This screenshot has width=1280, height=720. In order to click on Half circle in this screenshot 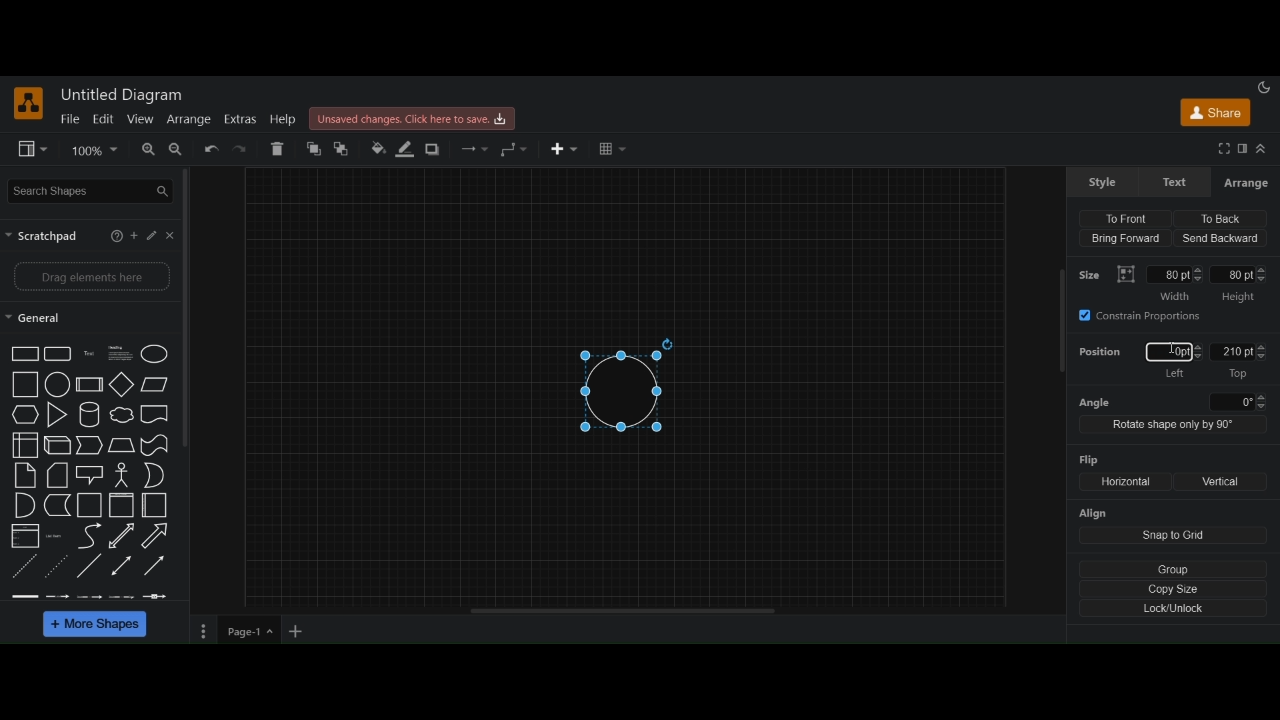, I will do `click(25, 505)`.